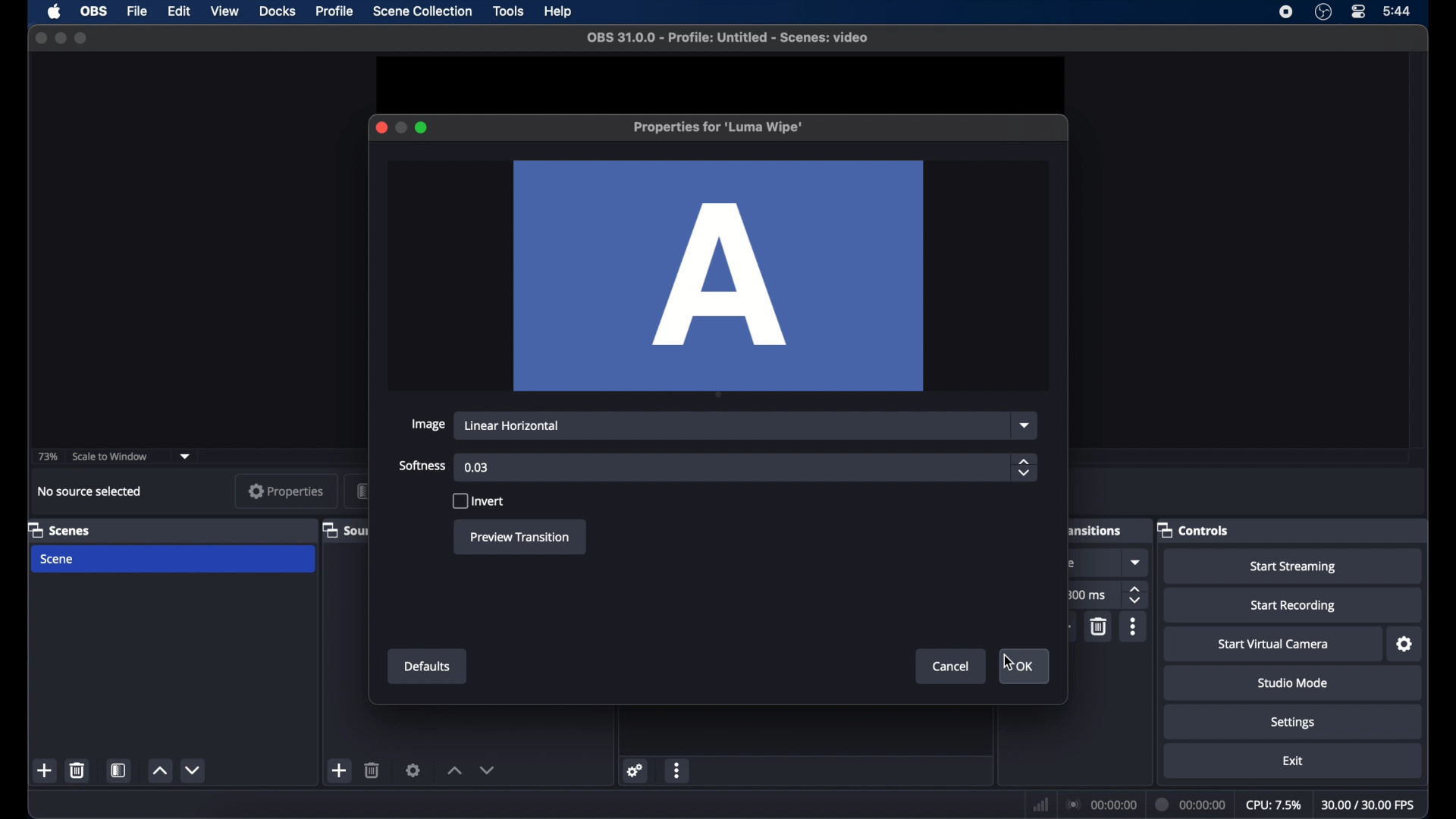 The width and height of the screenshot is (1456, 819). Describe the element at coordinates (162, 770) in the screenshot. I see `increment` at that location.